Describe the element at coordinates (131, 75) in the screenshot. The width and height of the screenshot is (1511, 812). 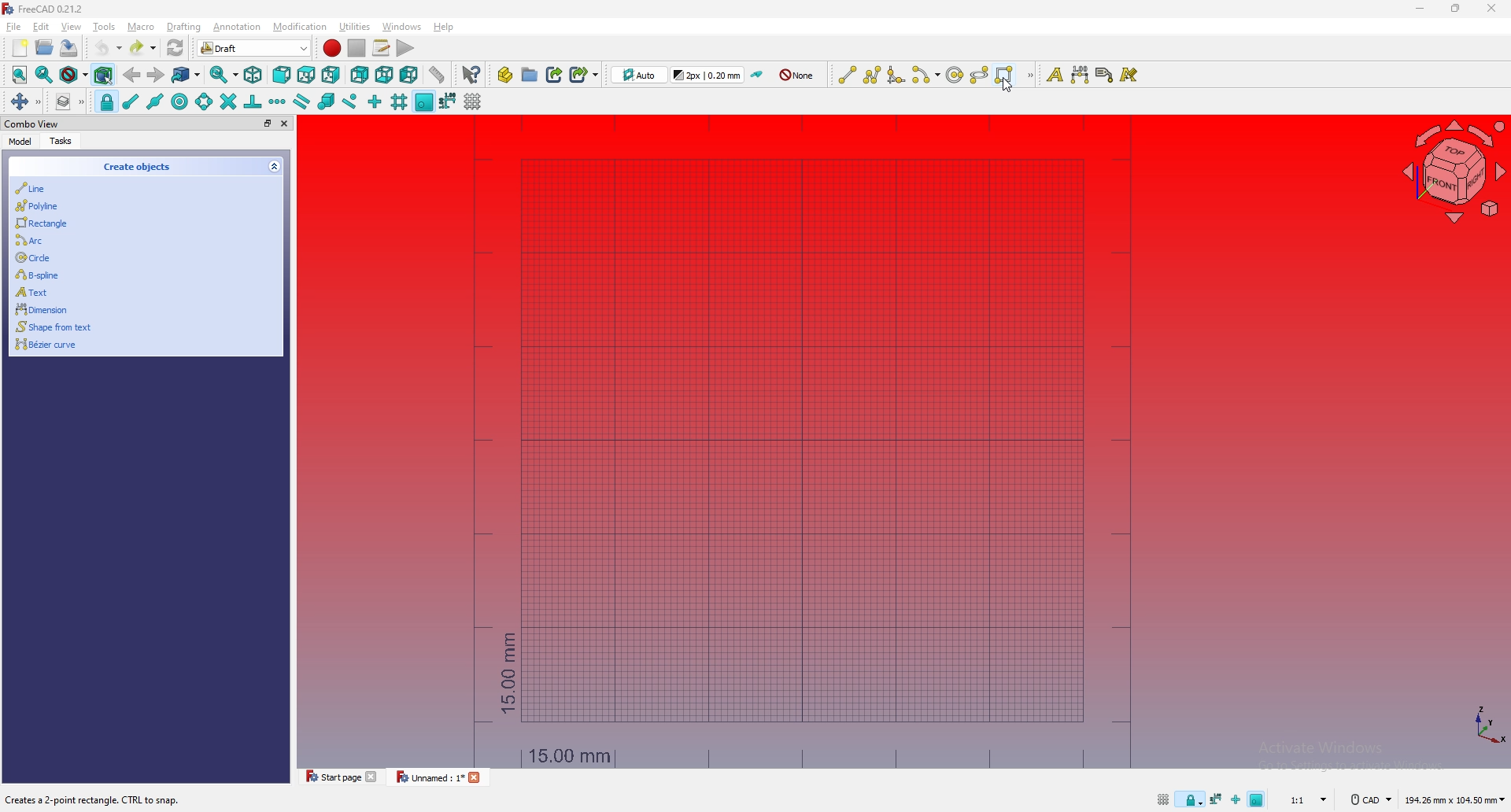
I see `back` at that location.